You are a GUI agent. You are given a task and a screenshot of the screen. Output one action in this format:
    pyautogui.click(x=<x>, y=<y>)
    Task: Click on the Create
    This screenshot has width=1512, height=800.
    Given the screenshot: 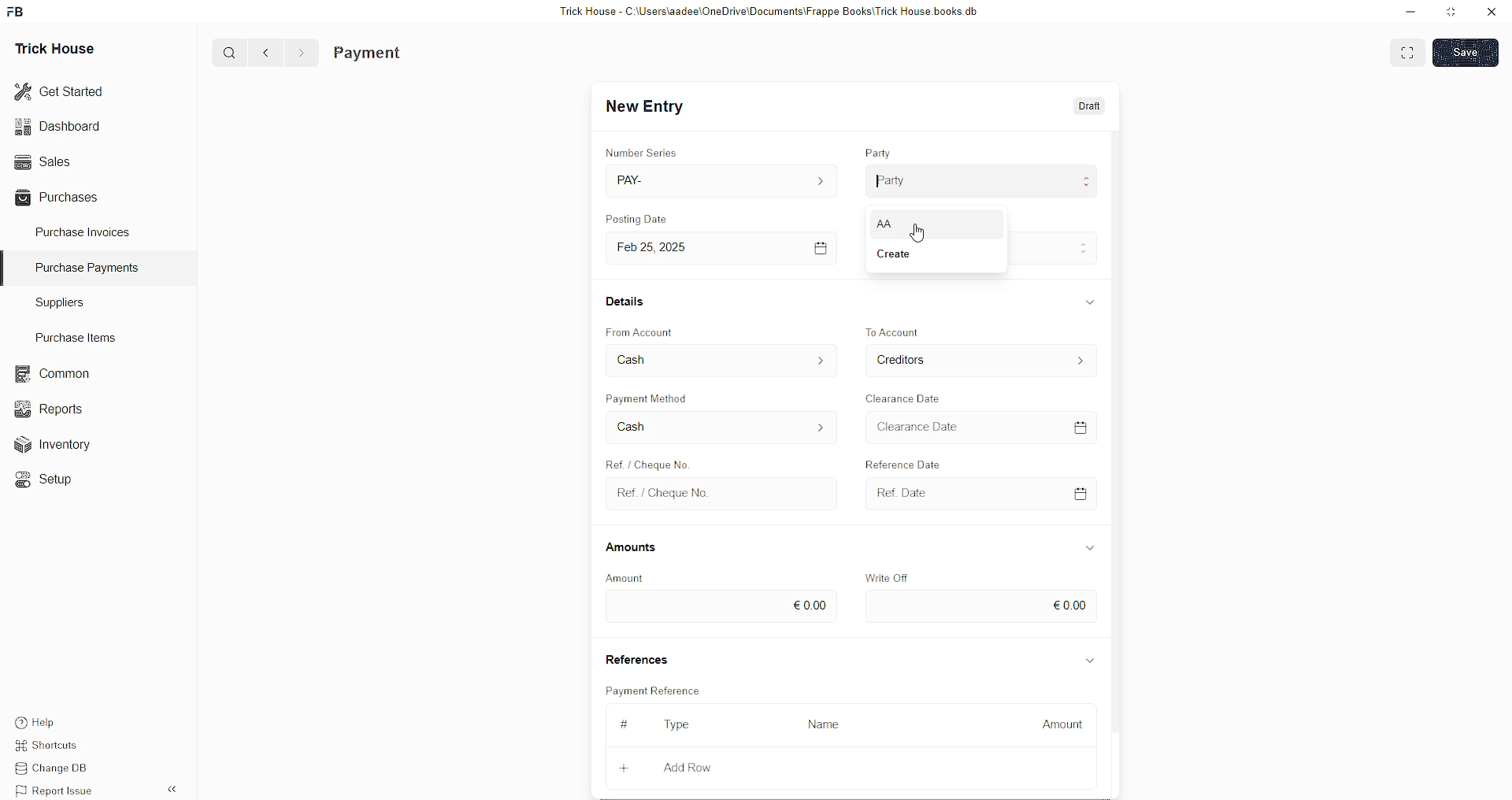 What is the action you would take?
    pyautogui.click(x=899, y=253)
    